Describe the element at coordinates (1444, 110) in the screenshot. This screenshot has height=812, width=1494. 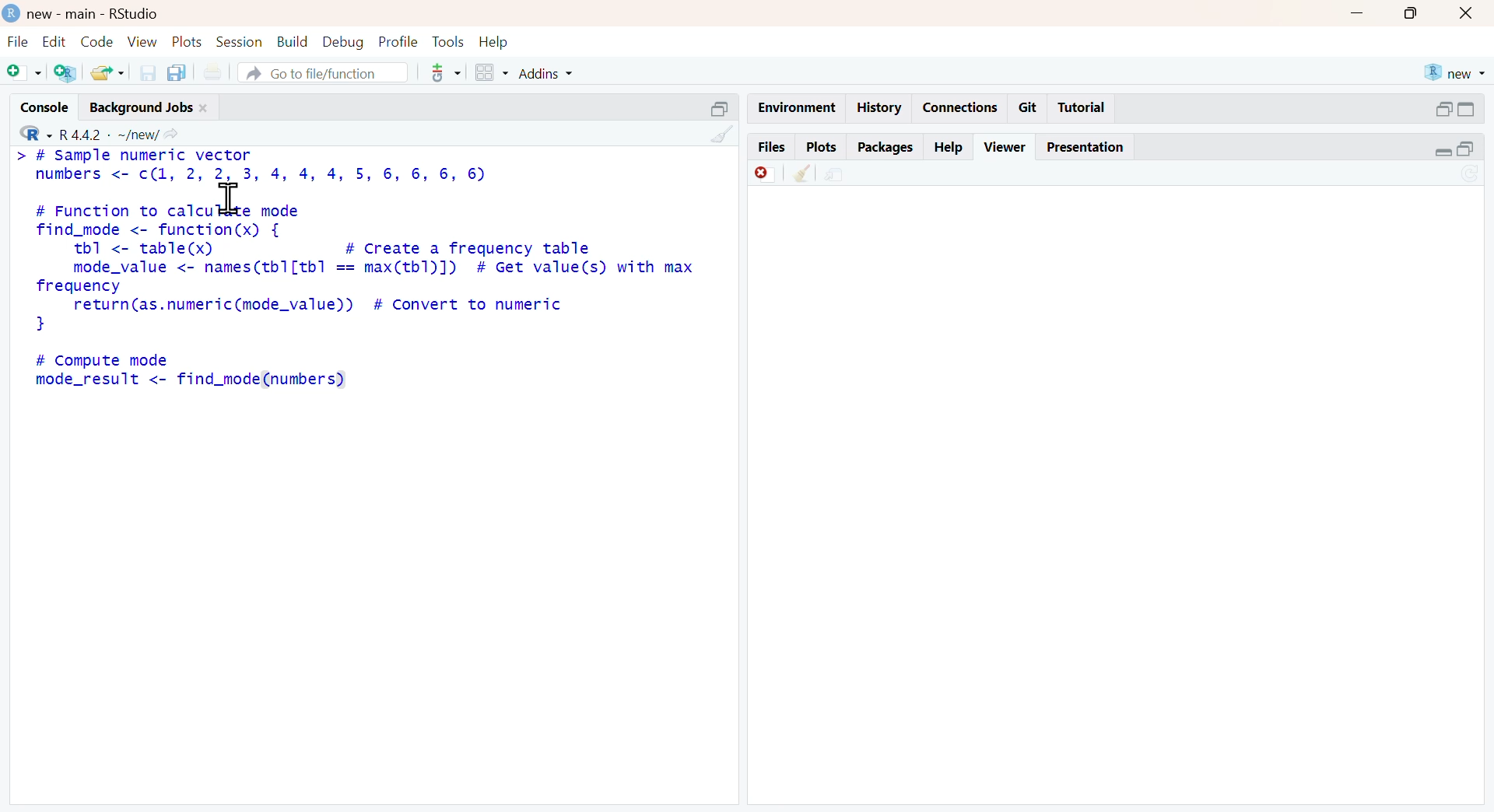
I see `open in separate window` at that location.